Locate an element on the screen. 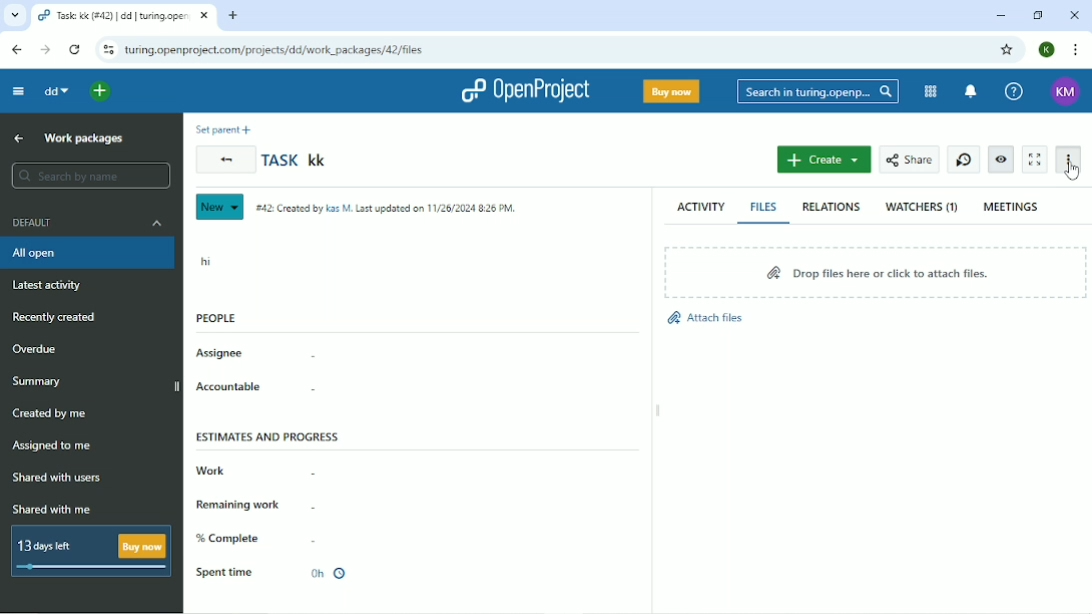  Remaining work is located at coordinates (255, 504).